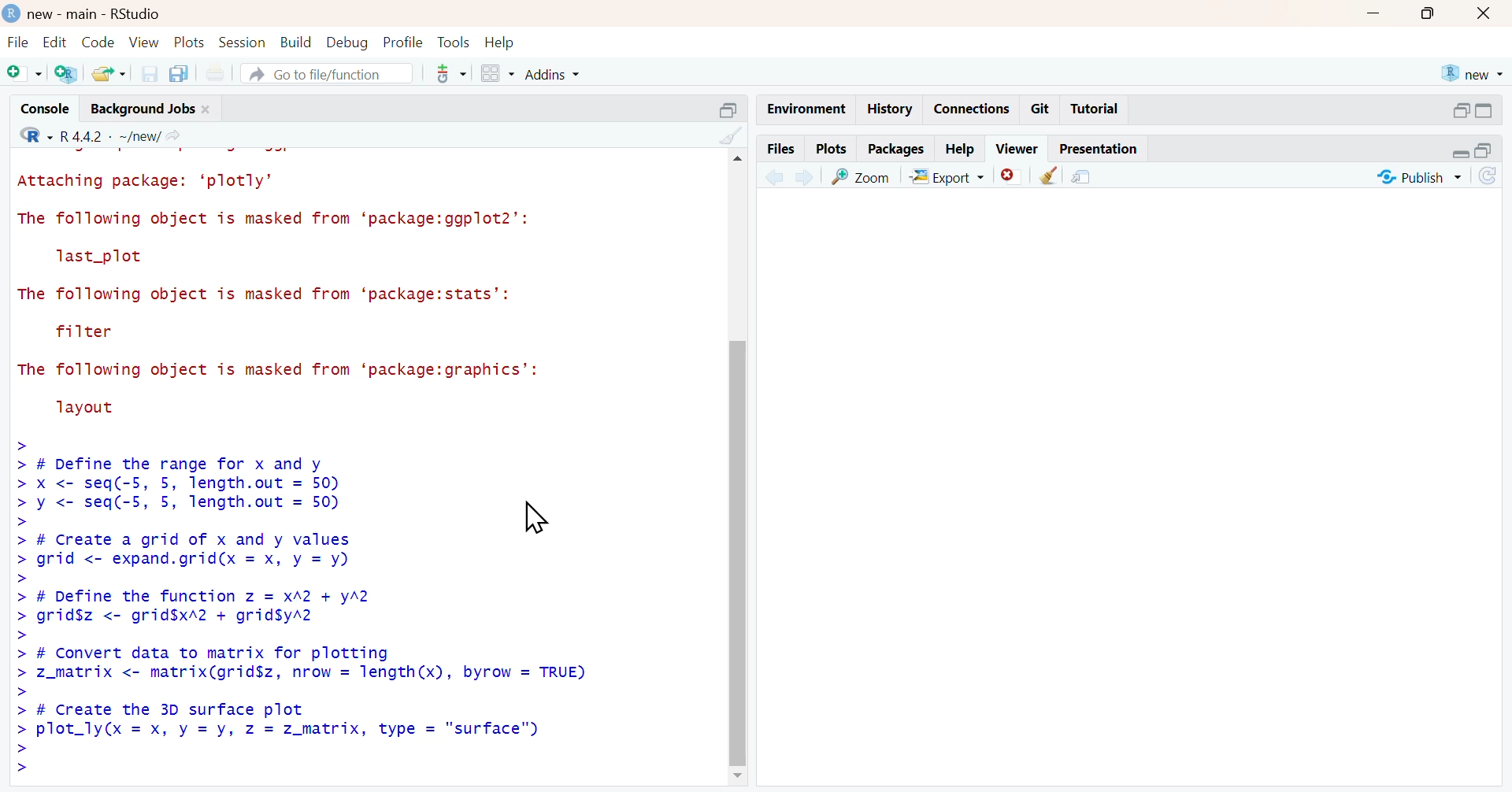 Image resolution: width=1512 pixels, height=792 pixels. I want to click on maximize, so click(1494, 110).